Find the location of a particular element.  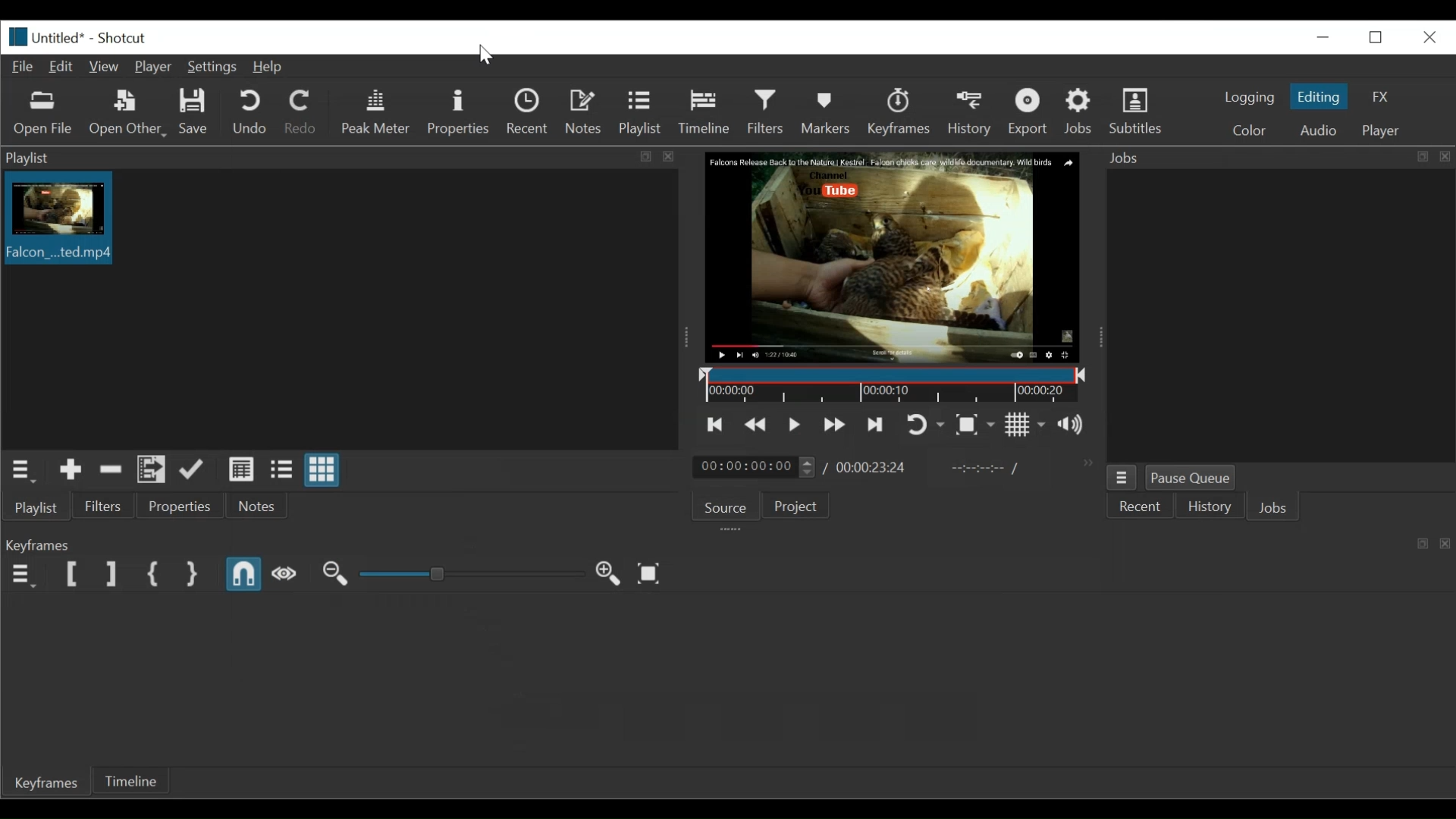

Snap is located at coordinates (243, 576).